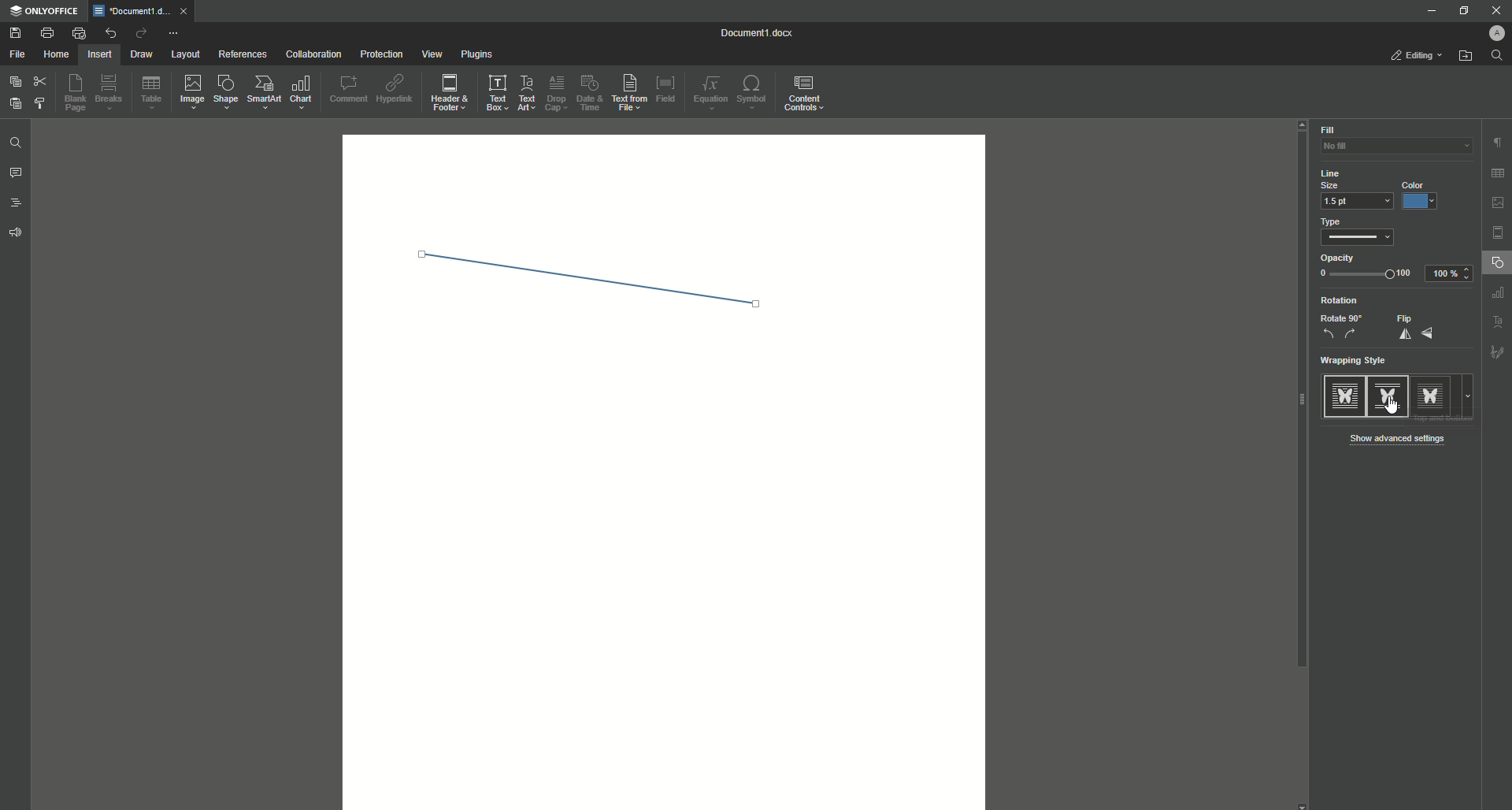 This screenshot has width=1512, height=810. I want to click on 1.5 pt, so click(1358, 202).